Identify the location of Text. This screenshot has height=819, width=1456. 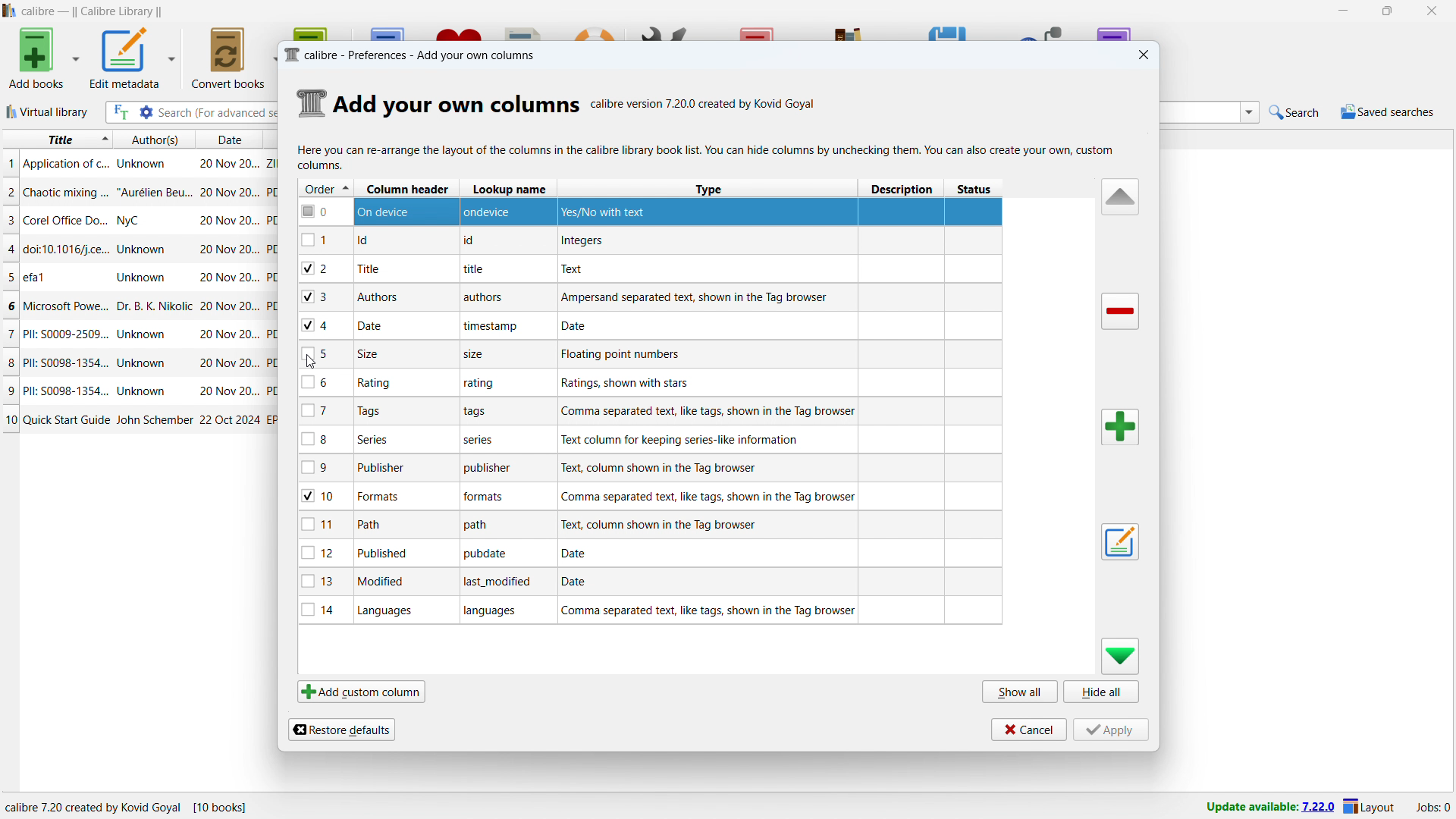
(575, 268).